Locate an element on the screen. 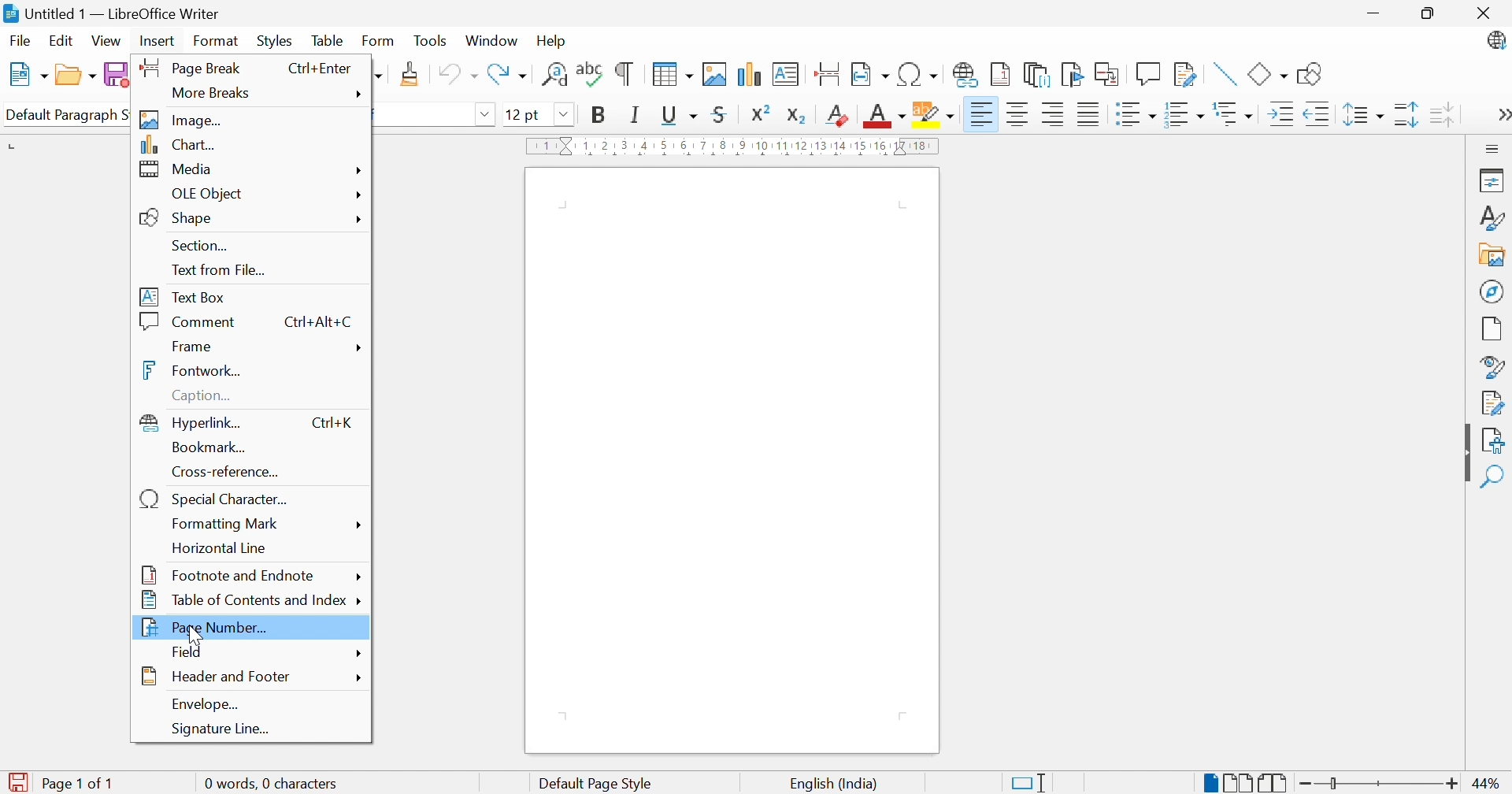 The height and width of the screenshot is (794, 1512). Default paragraph is located at coordinates (64, 114).